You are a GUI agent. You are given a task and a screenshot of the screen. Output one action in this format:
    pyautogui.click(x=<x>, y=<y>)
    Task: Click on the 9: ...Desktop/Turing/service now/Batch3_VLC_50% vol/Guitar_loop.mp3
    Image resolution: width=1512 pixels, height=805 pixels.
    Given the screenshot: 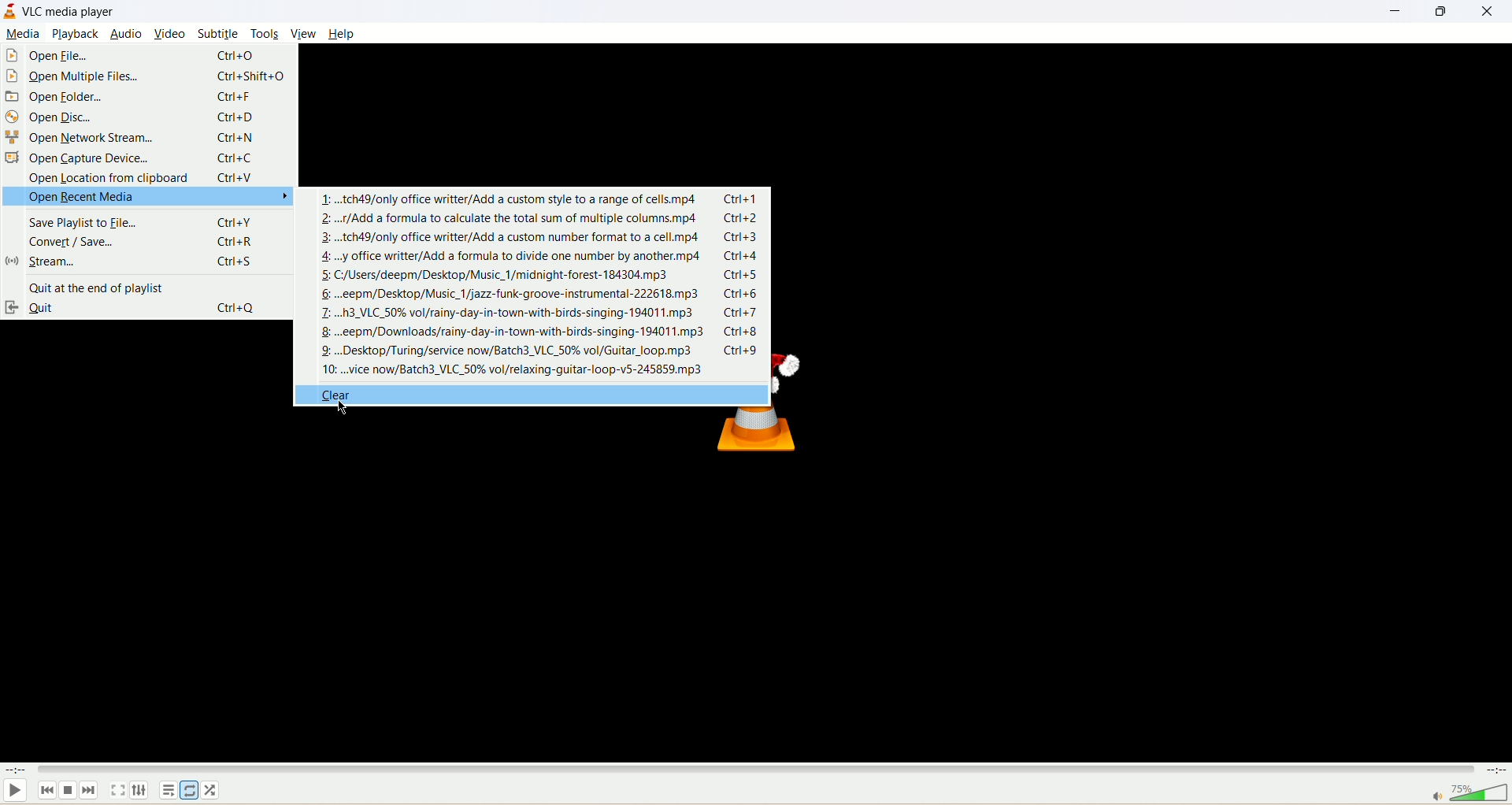 What is the action you would take?
    pyautogui.click(x=512, y=351)
    